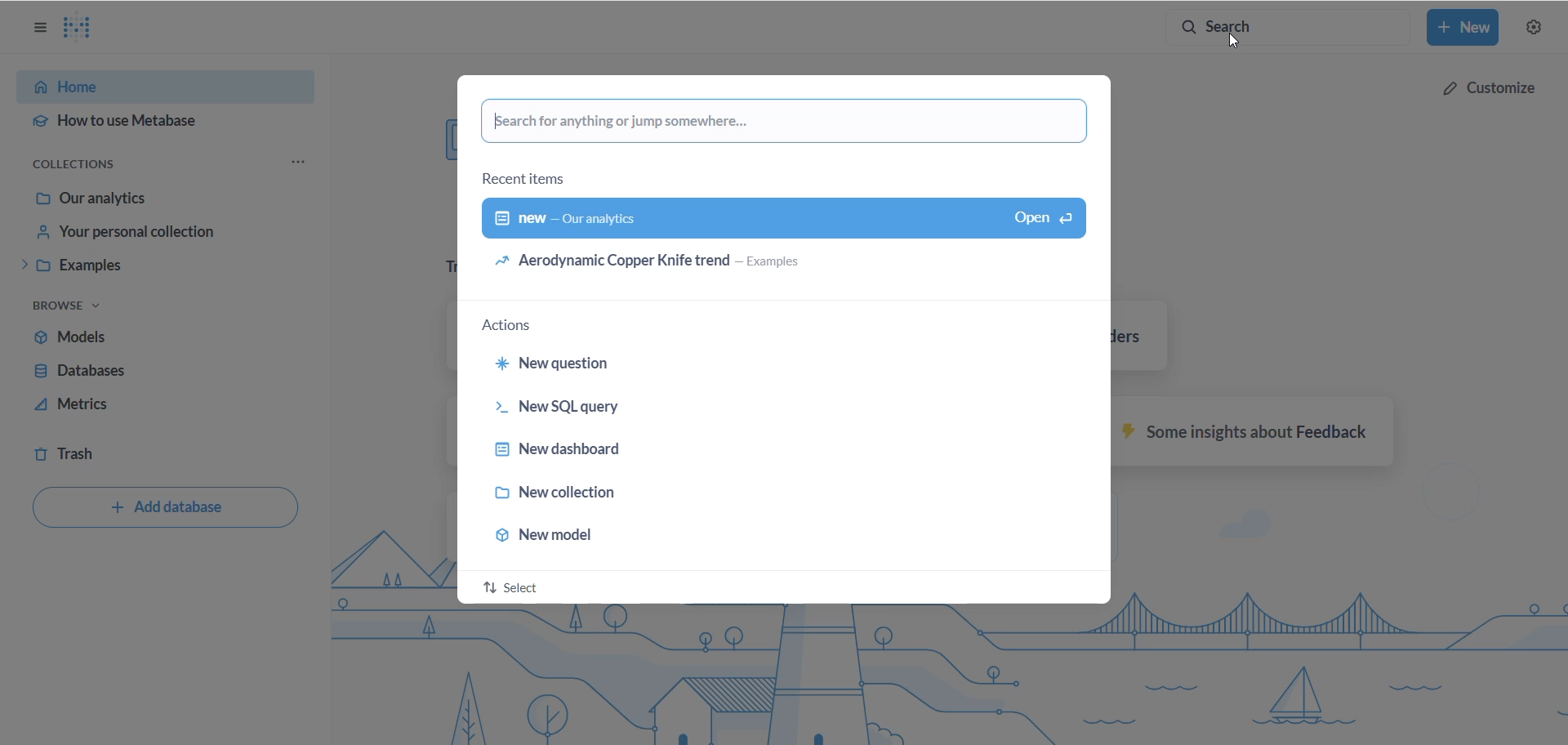 This screenshot has width=1568, height=745. What do you see at coordinates (748, 453) in the screenshot?
I see `new dashboard` at bounding box center [748, 453].